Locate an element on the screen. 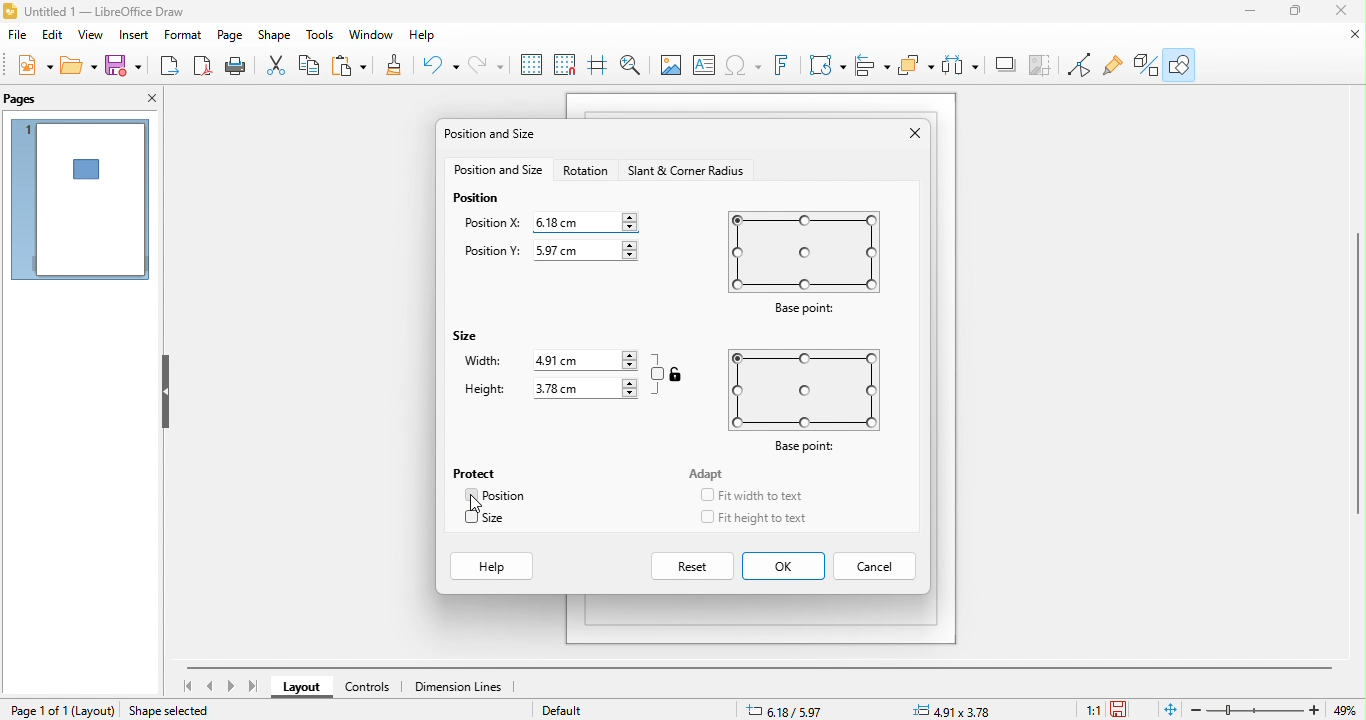 The width and height of the screenshot is (1366, 720). first page is located at coordinates (187, 686).